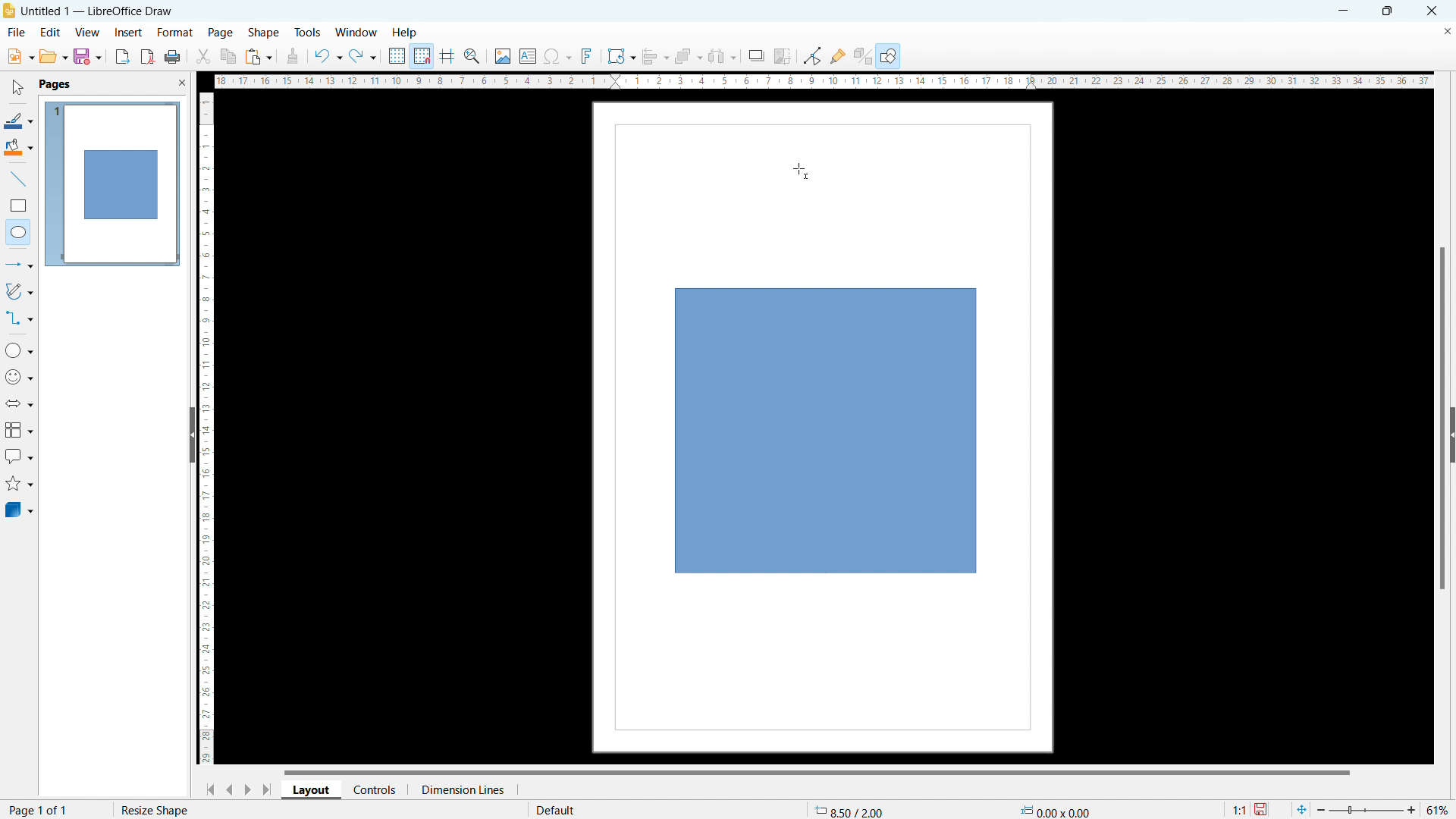 This screenshot has height=819, width=1456. Describe the element at coordinates (221, 32) in the screenshot. I see `page` at that location.